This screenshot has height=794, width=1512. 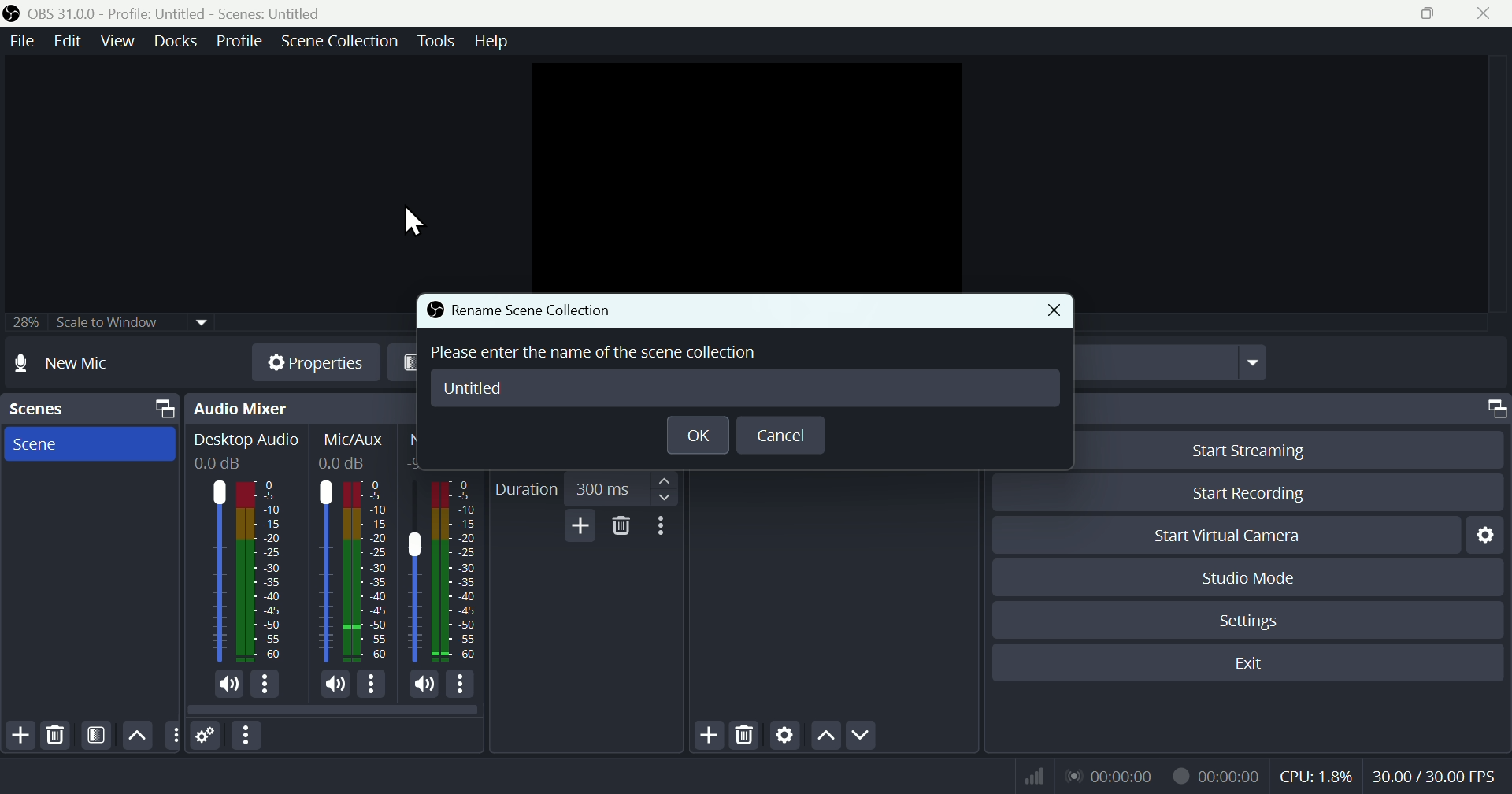 What do you see at coordinates (89, 409) in the screenshot?
I see `Scenes` at bounding box center [89, 409].